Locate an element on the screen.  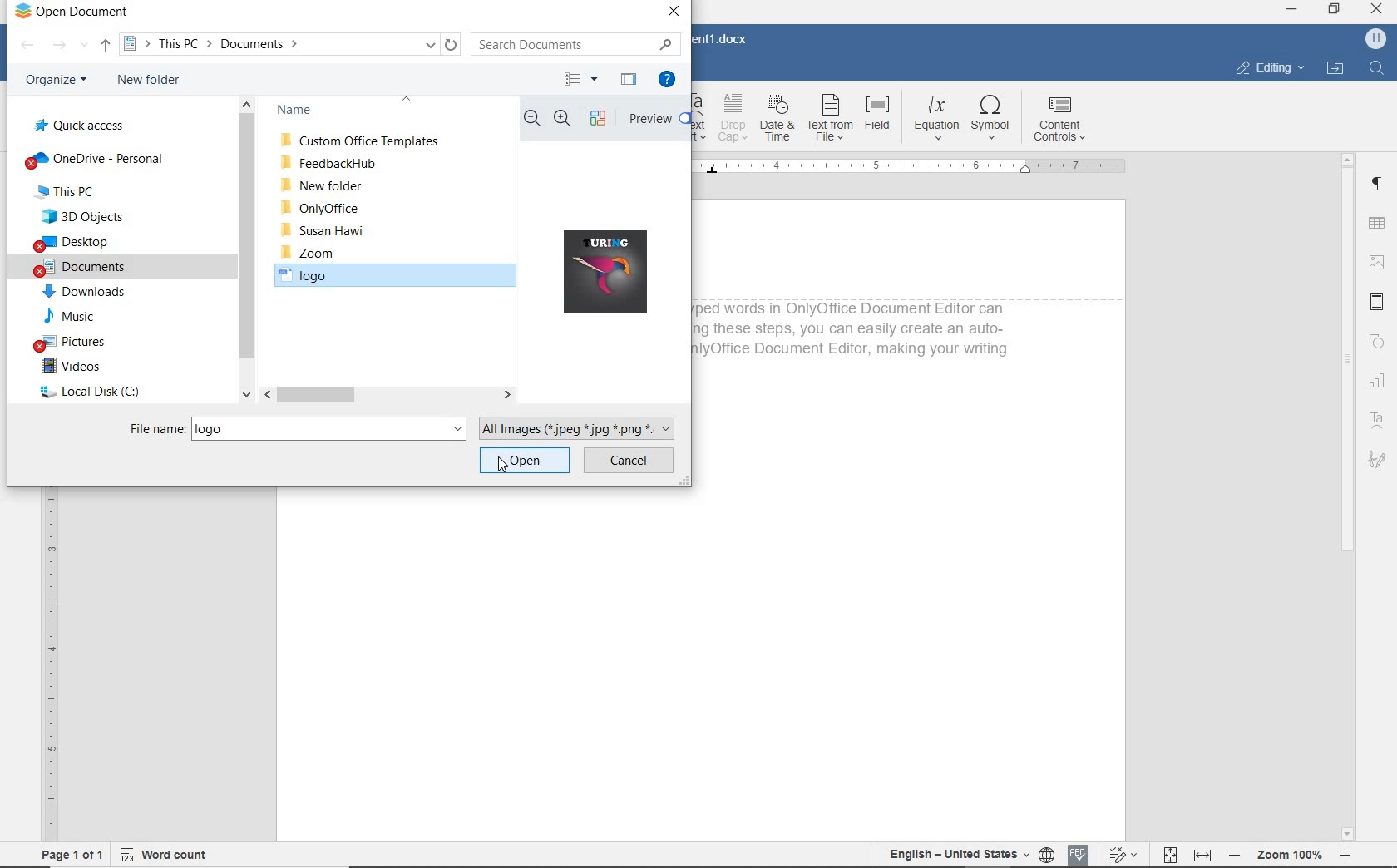
CONTENT CONTROLS is located at coordinates (1063, 120).